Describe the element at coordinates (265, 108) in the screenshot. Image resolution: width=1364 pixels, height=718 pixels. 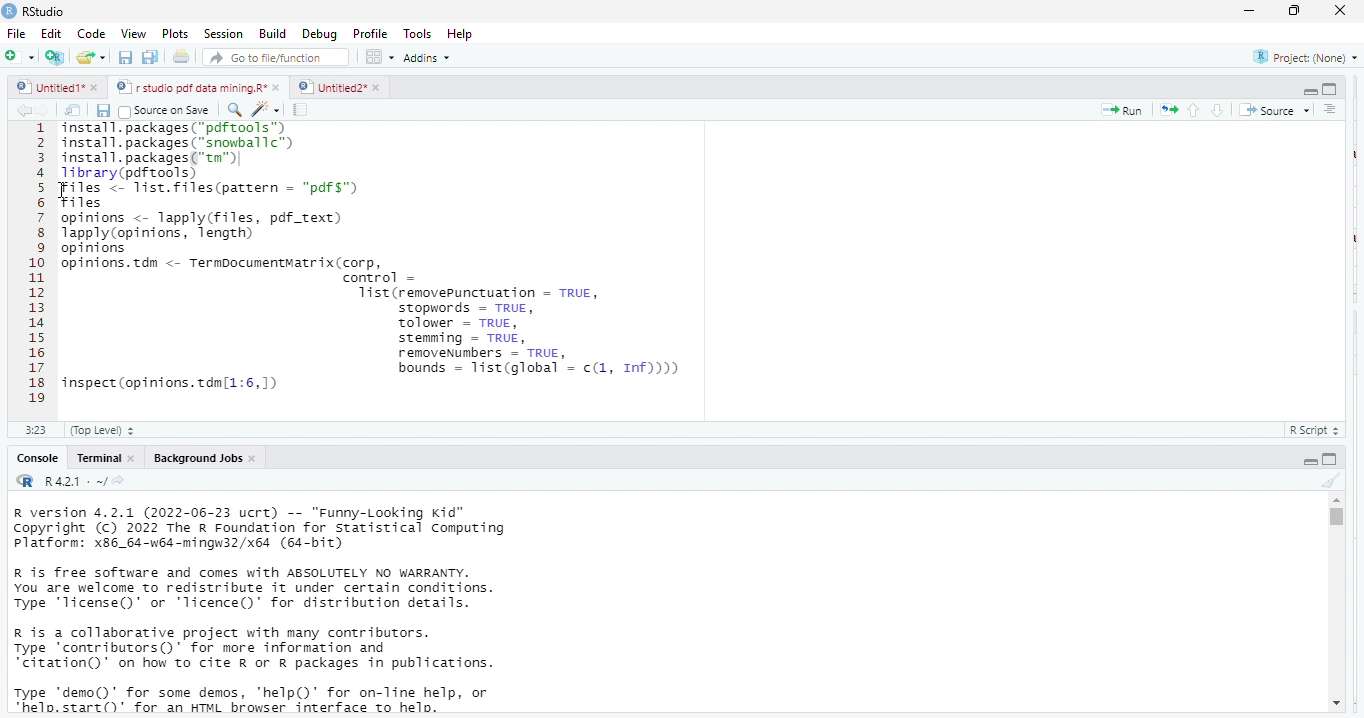
I see `code tools` at that location.